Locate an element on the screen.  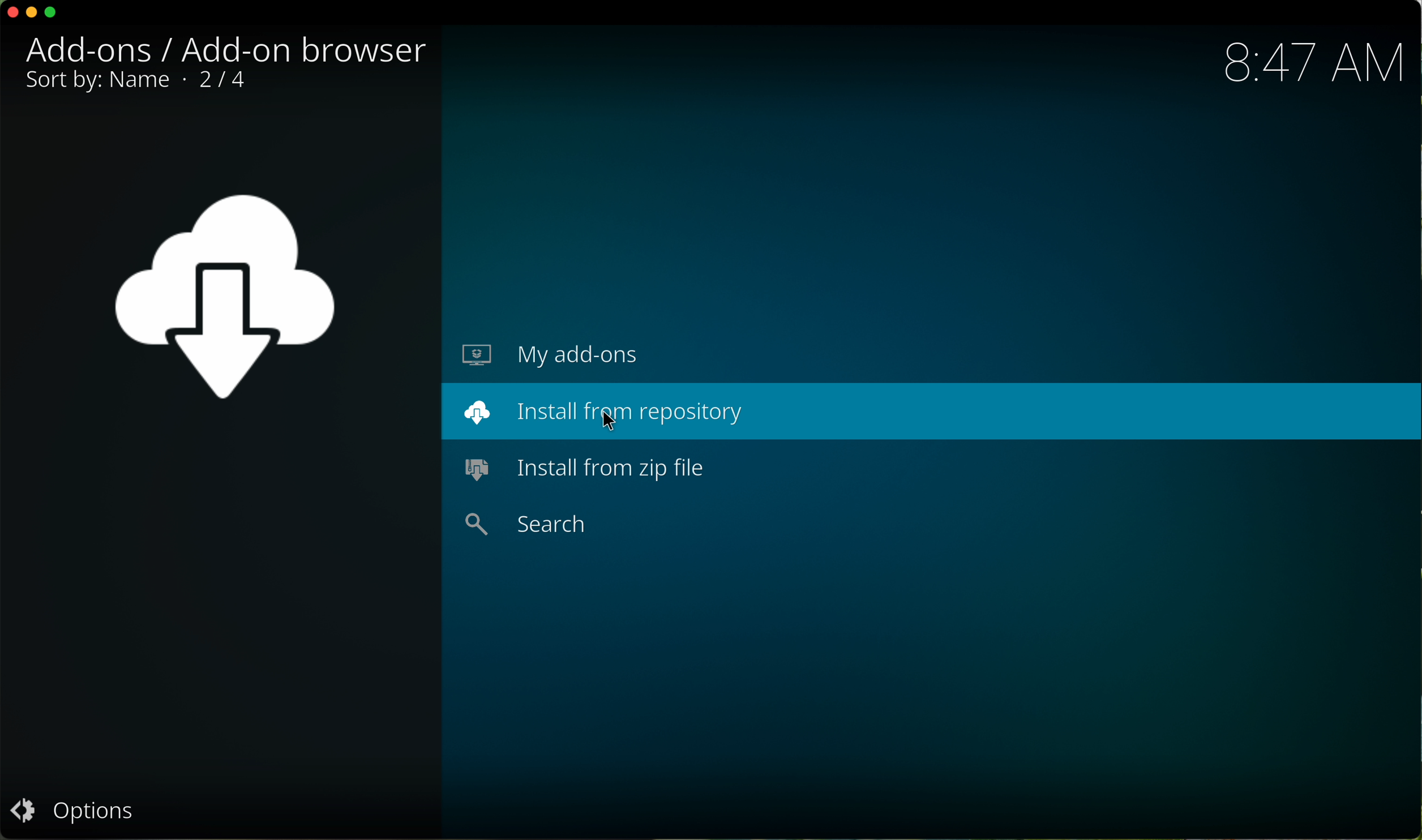
2/4 is located at coordinates (212, 82).